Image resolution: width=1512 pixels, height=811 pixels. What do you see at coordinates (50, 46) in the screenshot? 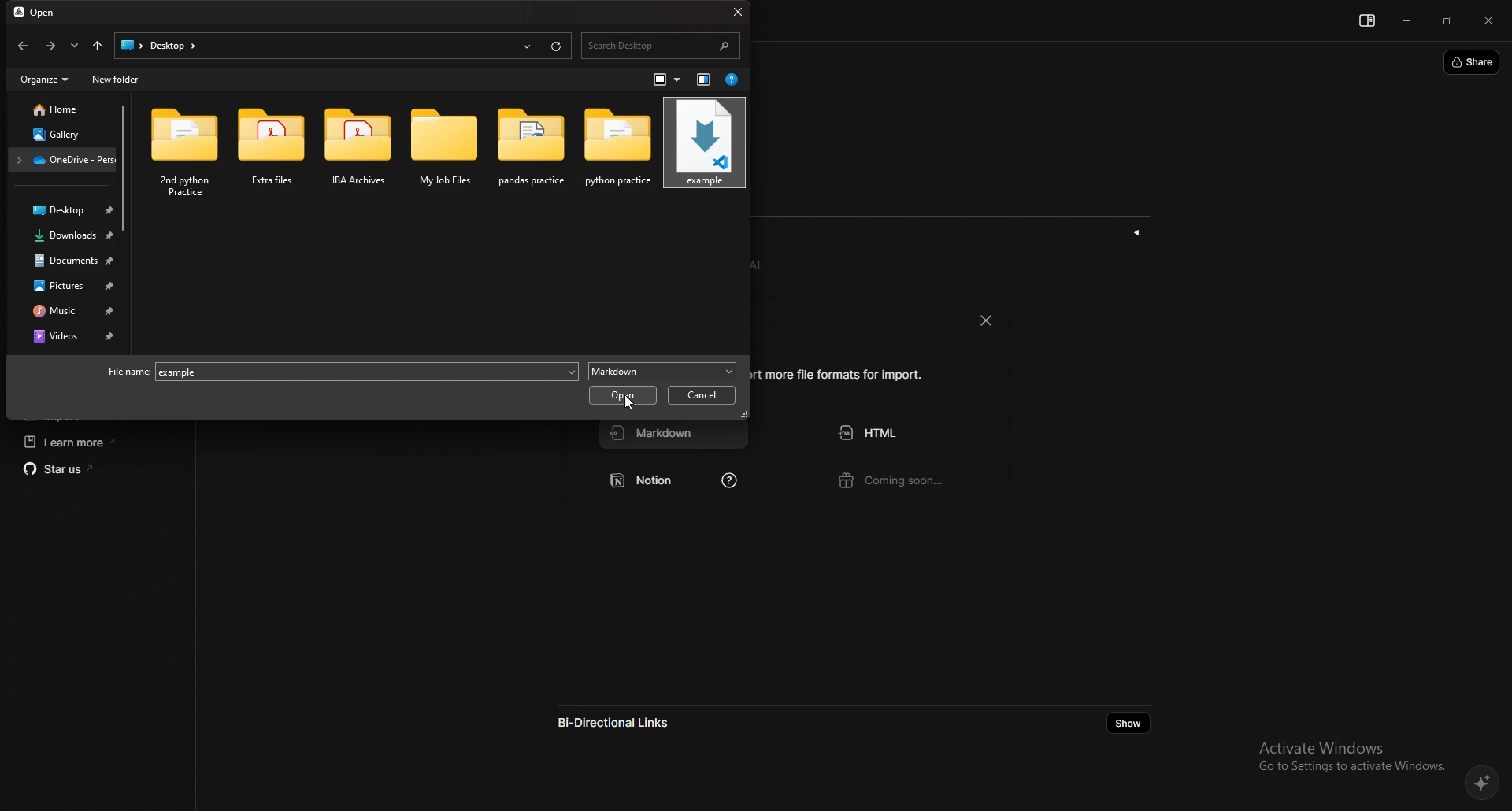
I see `forward` at bounding box center [50, 46].